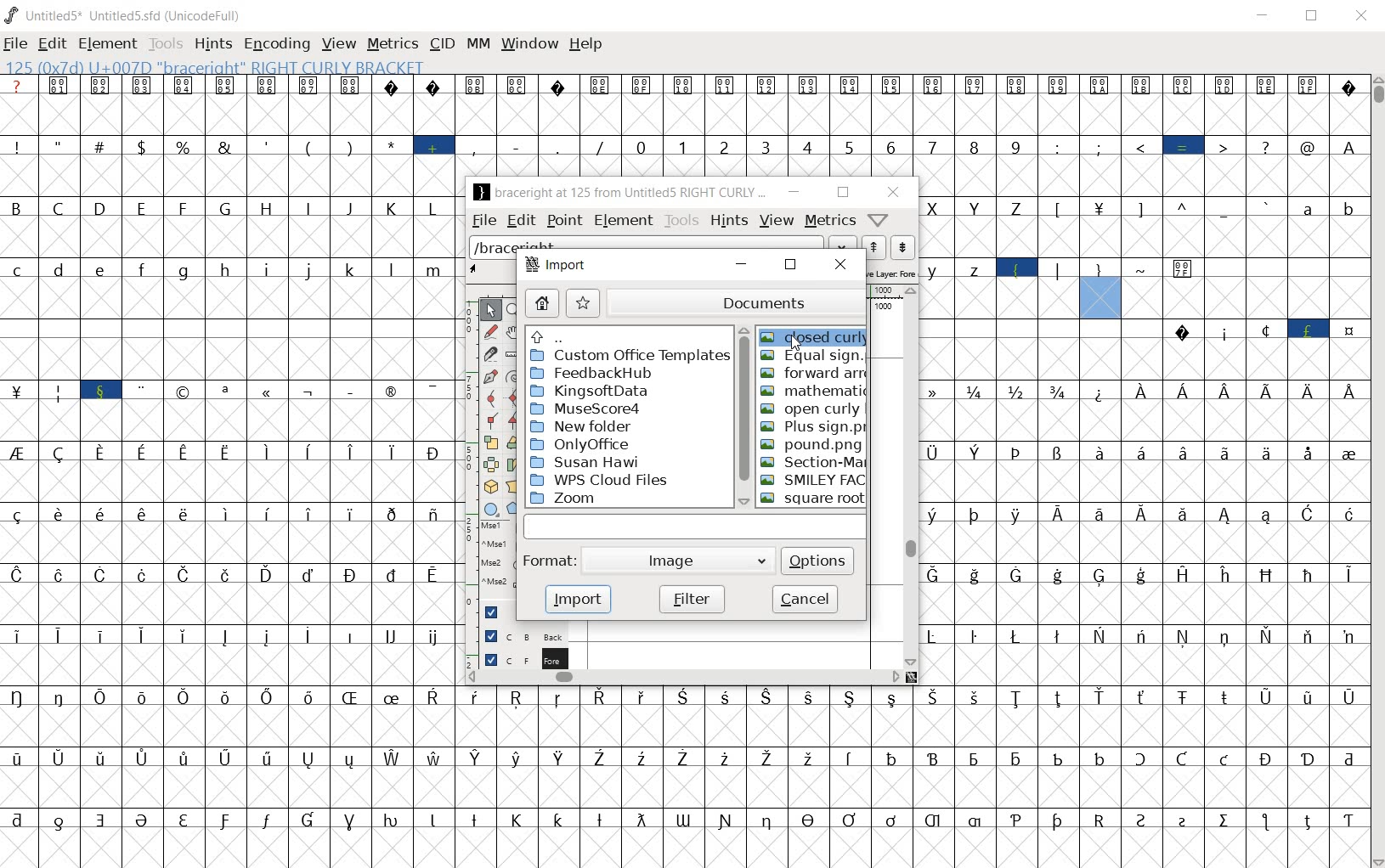  What do you see at coordinates (513, 509) in the screenshot?
I see `polygon or star` at bounding box center [513, 509].